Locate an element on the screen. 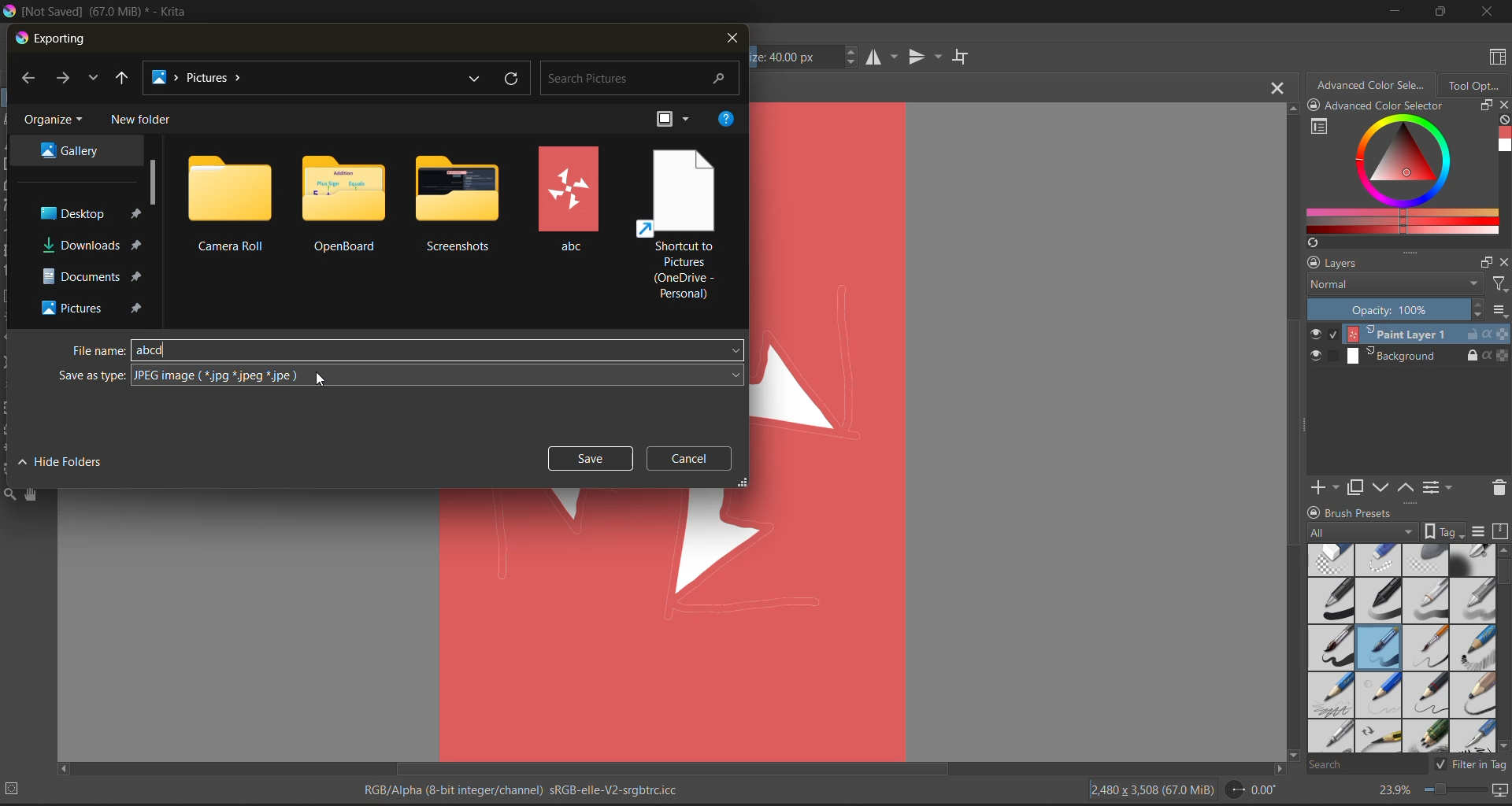 This screenshot has height=806, width=1512. search is located at coordinates (1368, 765).